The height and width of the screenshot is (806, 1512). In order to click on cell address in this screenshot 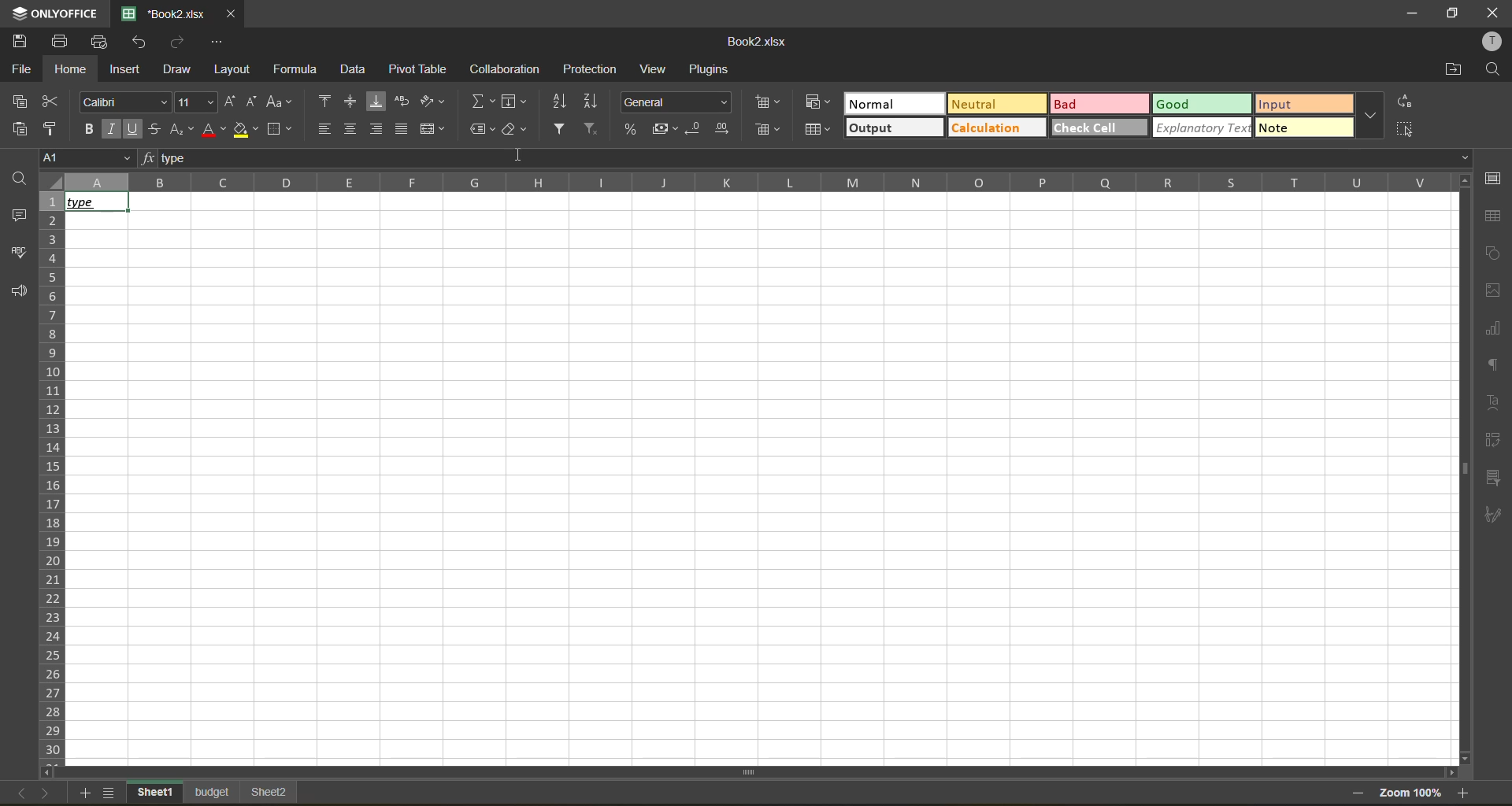, I will do `click(84, 157)`.